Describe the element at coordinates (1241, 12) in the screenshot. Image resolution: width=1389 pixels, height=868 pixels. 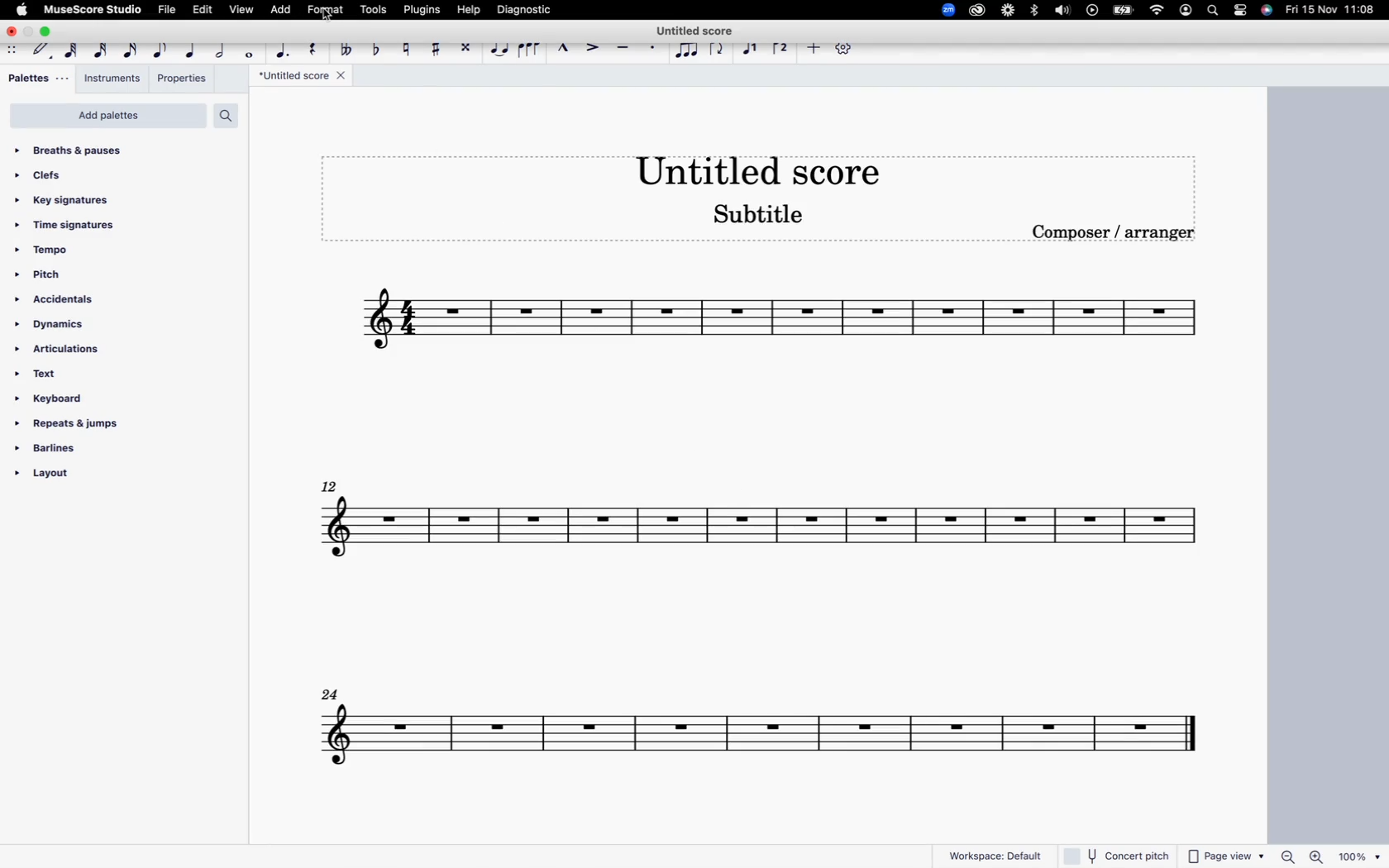
I see `settings` at that location.